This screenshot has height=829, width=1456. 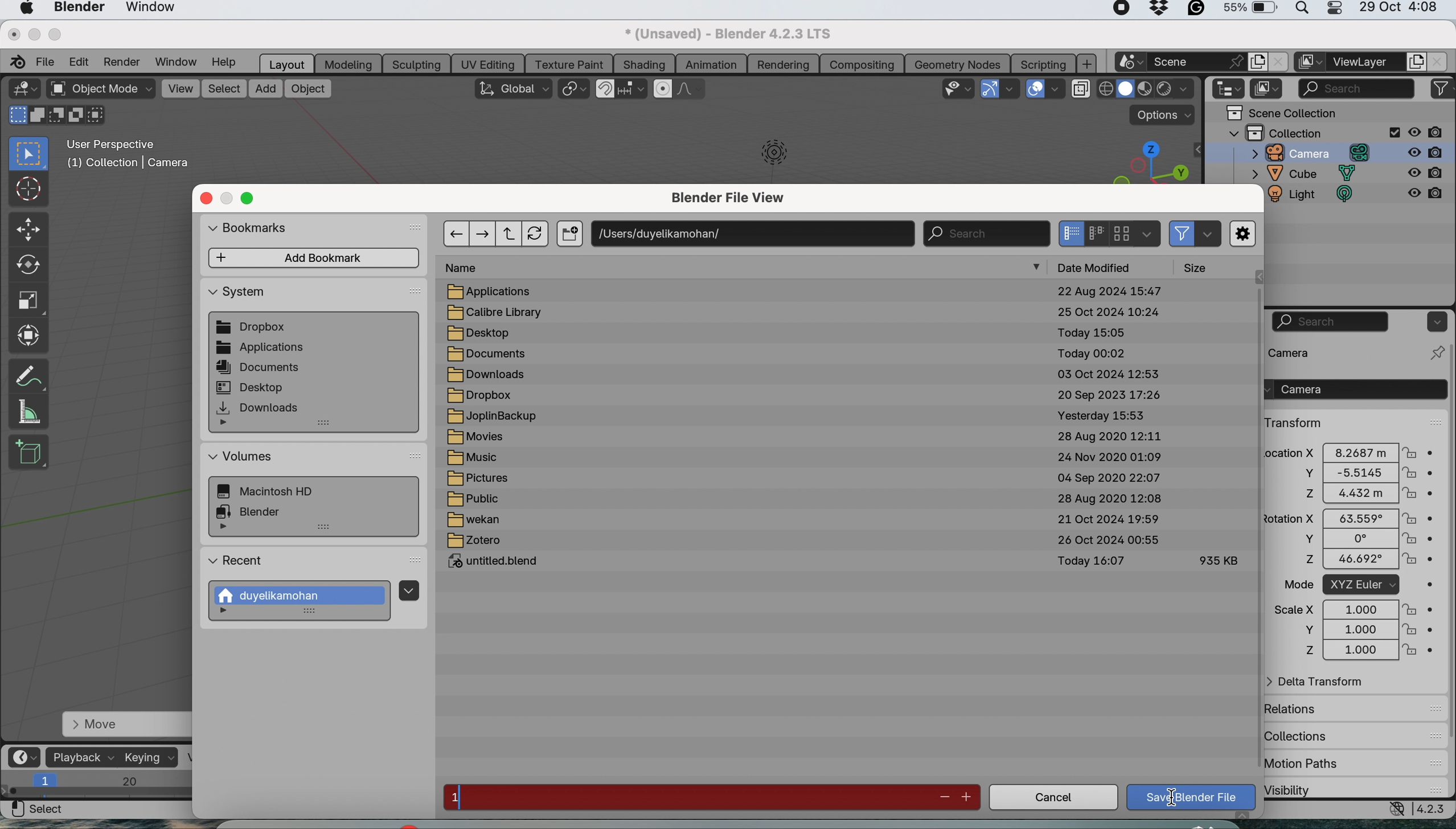 I want to click on keying, so click(x=149, y=757).